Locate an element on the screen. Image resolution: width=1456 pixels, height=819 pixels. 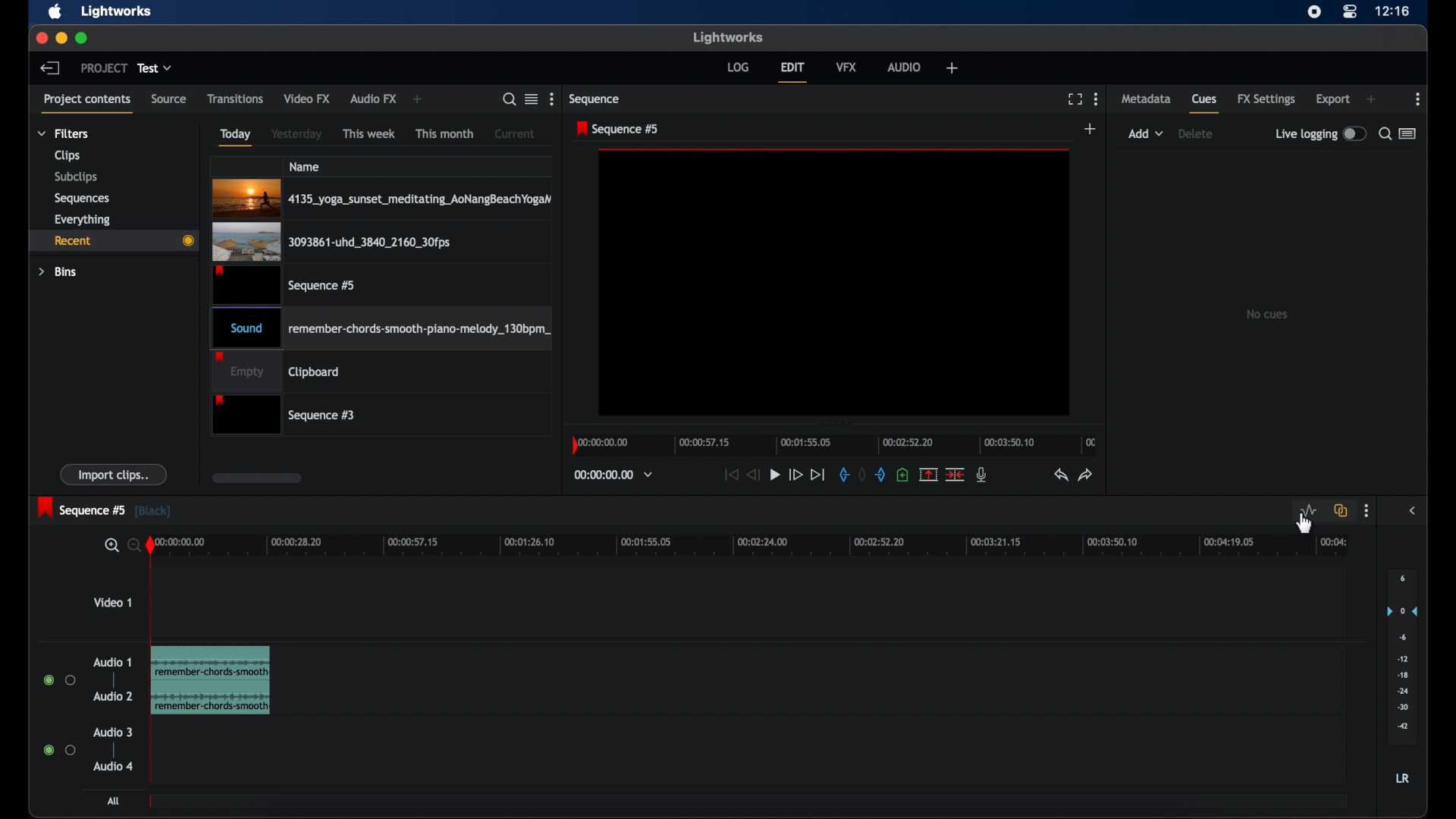
playhead is located at coordinates (150, 545).